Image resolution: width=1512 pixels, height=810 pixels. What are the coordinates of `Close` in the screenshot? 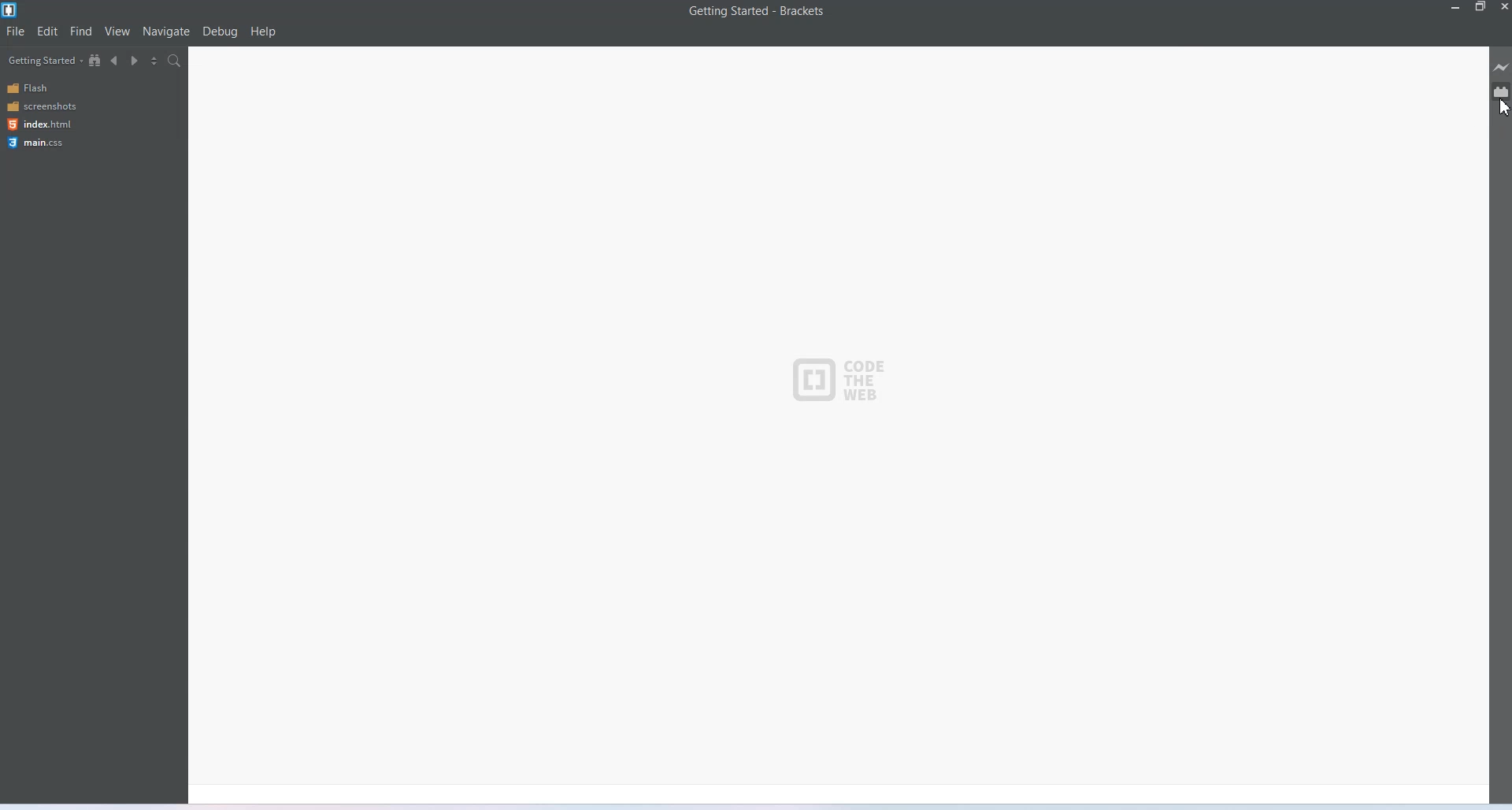 It's located at (1503, 8).